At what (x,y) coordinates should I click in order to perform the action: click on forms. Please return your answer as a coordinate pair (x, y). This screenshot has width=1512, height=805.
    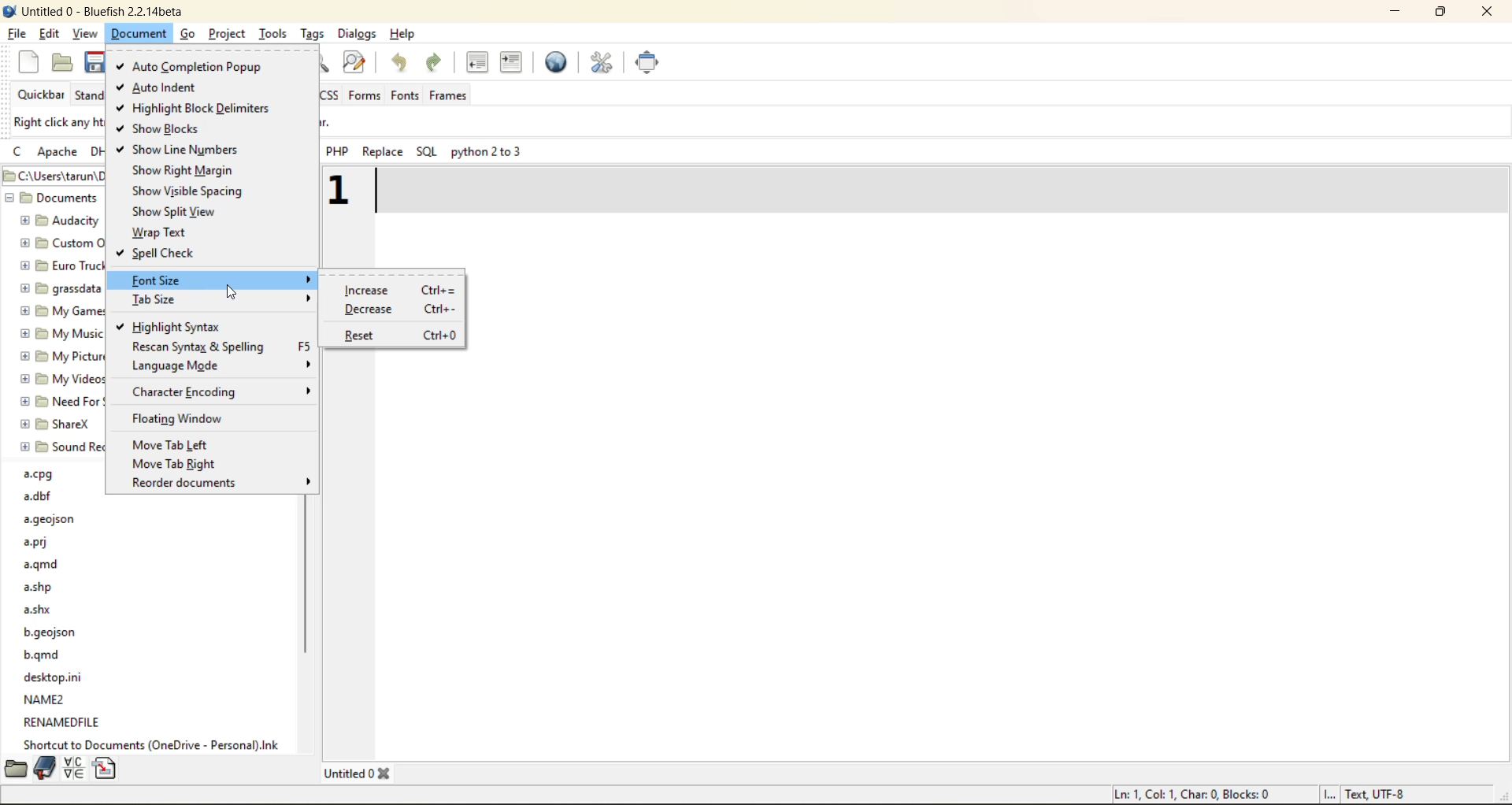
    Looking at the image, I should click on (365, 96).